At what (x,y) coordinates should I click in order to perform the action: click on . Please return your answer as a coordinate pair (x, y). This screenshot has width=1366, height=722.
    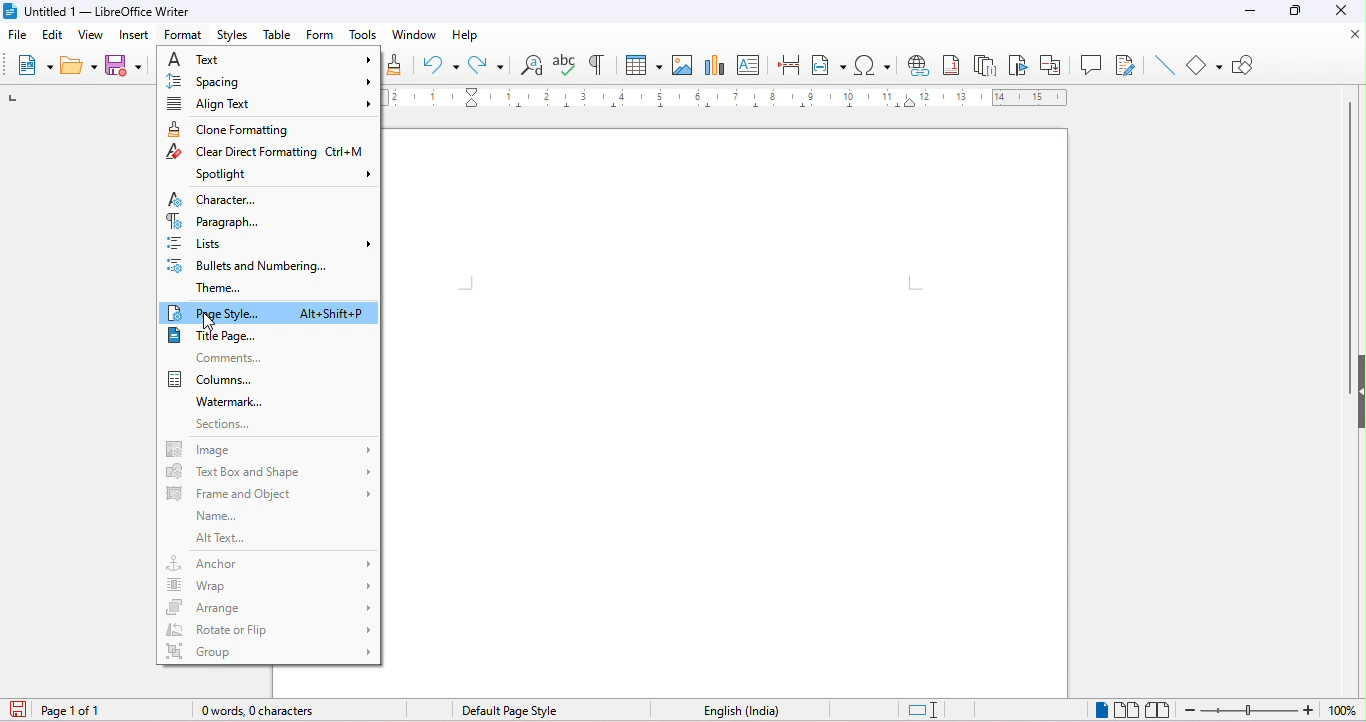
    Looking at the image, I should click on (95, 35).